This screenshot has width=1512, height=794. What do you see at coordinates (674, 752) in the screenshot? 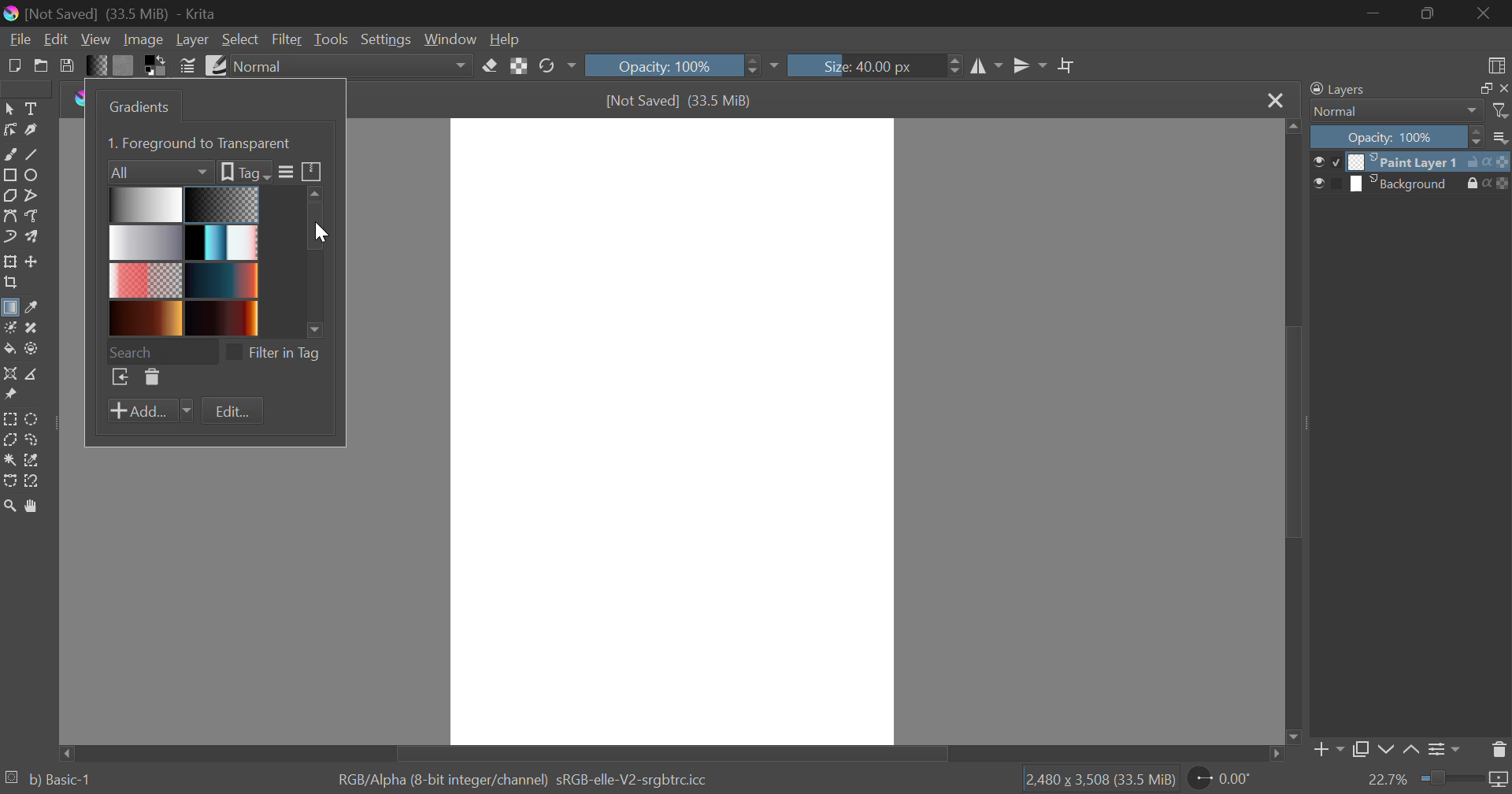
I see `Scroll Bar` at bounding box center [674, 752].